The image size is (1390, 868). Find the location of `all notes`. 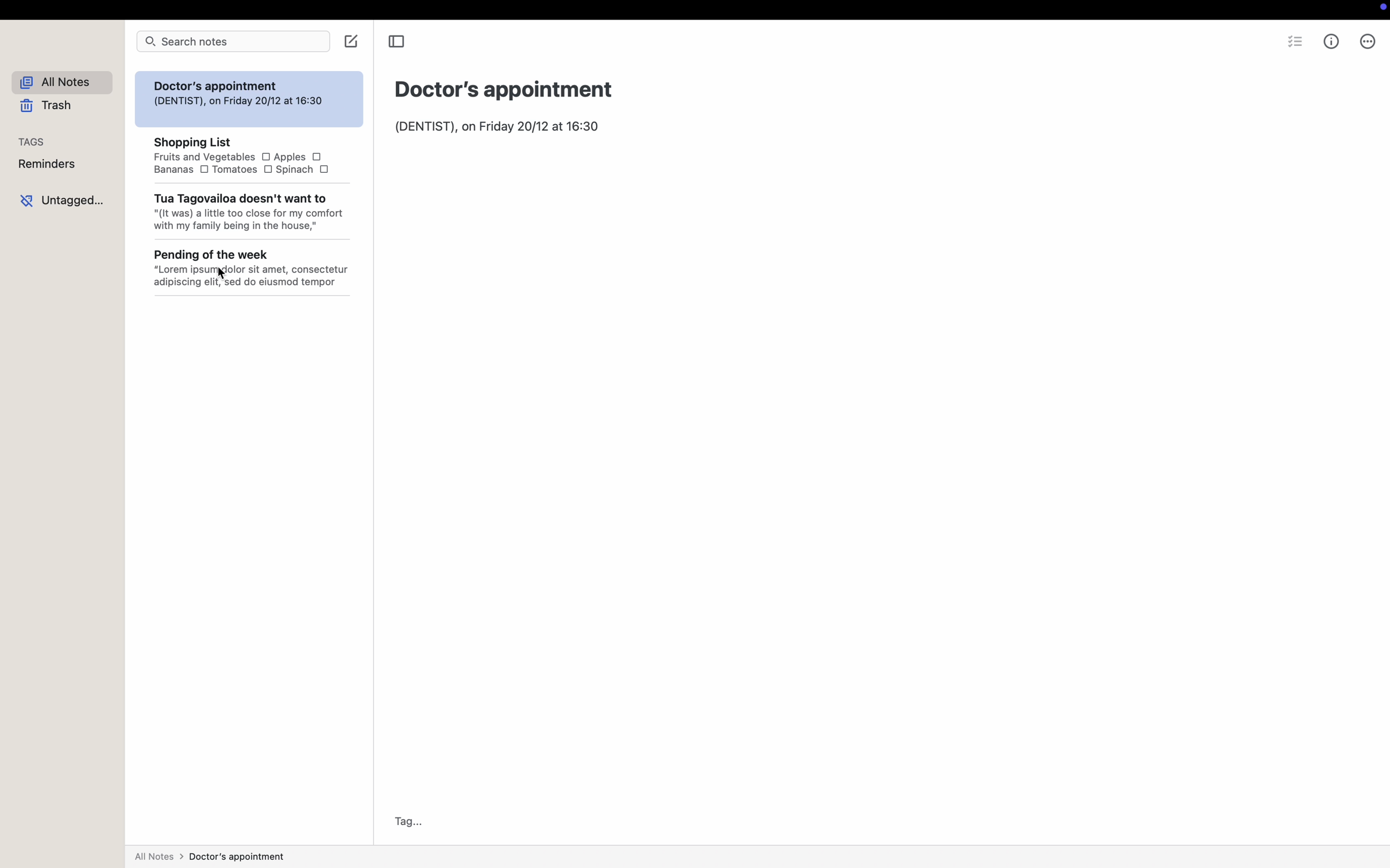

all notes is located at coordinates (59, 82).